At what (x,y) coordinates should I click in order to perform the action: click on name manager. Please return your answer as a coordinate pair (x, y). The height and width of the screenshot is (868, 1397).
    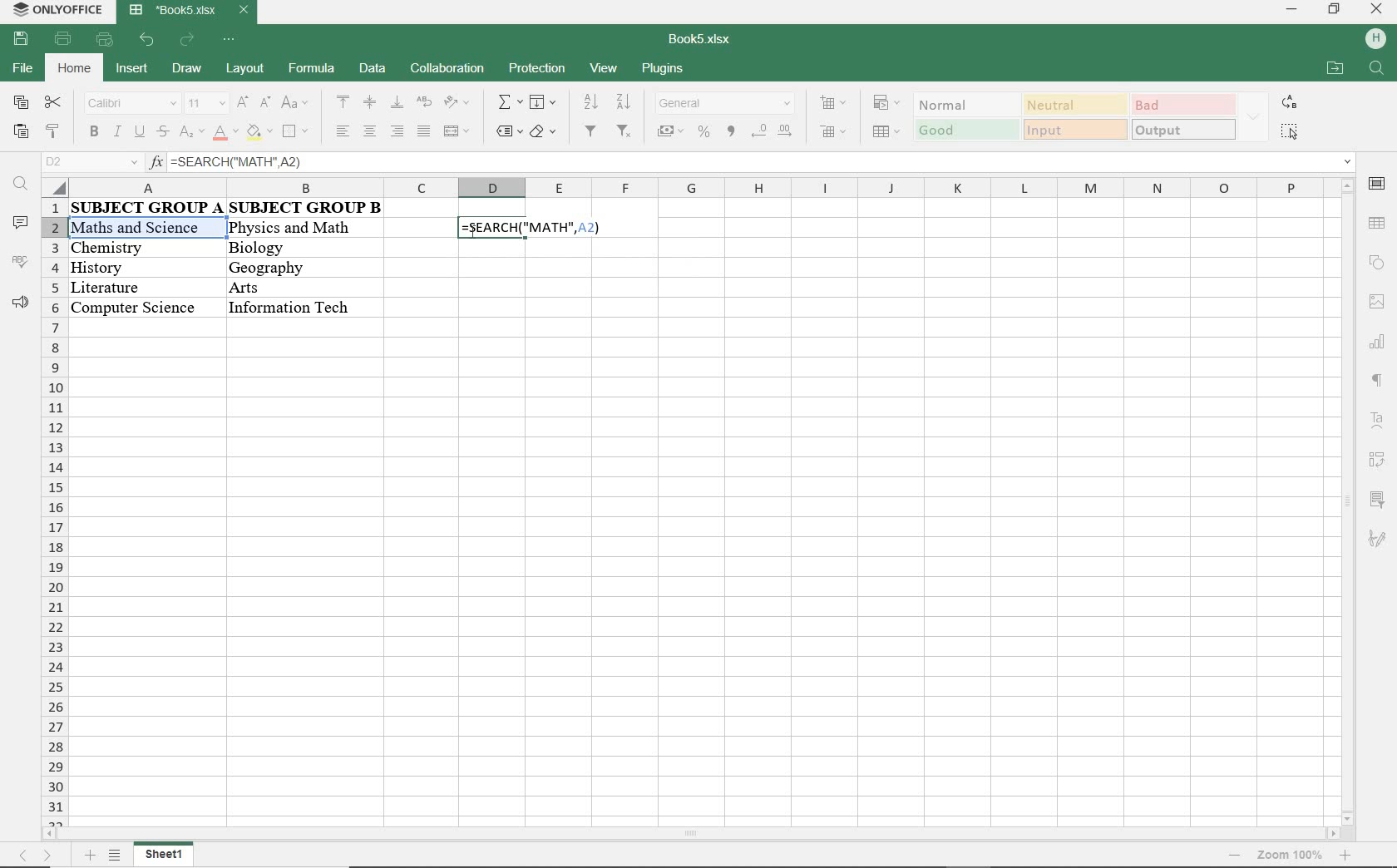
    Looking at the image, I should click on (91, 162).